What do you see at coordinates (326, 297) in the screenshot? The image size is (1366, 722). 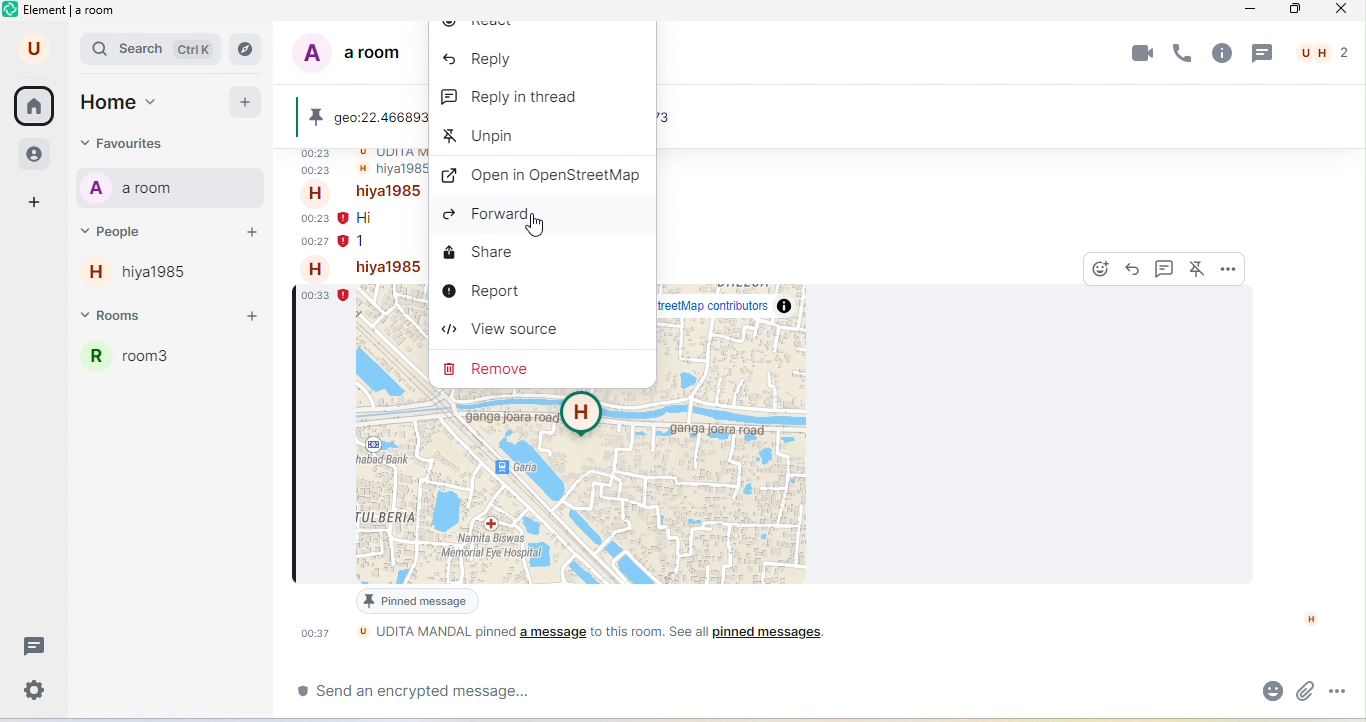 I see `00.33` at bounding box center [326, 297].